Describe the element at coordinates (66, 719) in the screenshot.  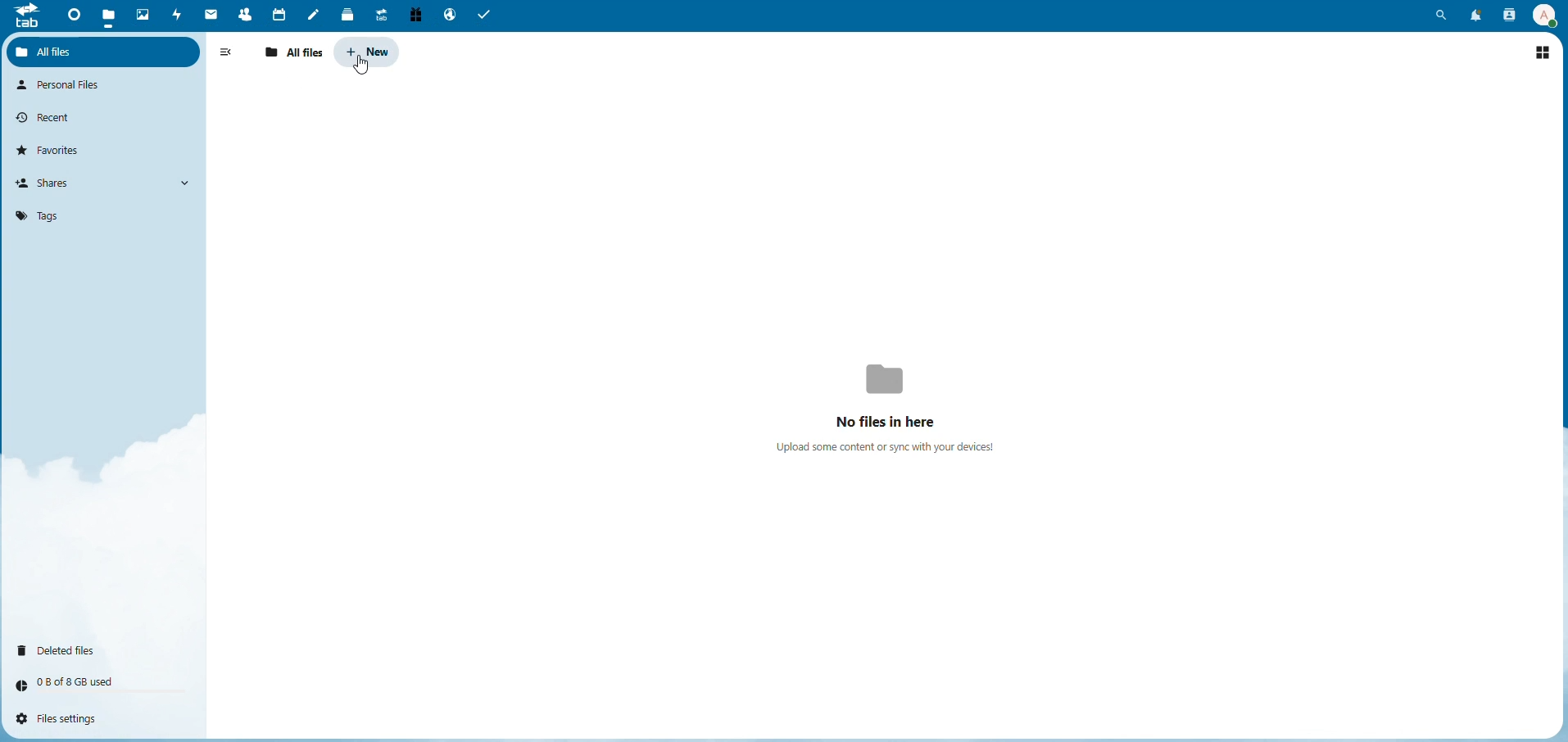
I see `Files Settings` at that location.